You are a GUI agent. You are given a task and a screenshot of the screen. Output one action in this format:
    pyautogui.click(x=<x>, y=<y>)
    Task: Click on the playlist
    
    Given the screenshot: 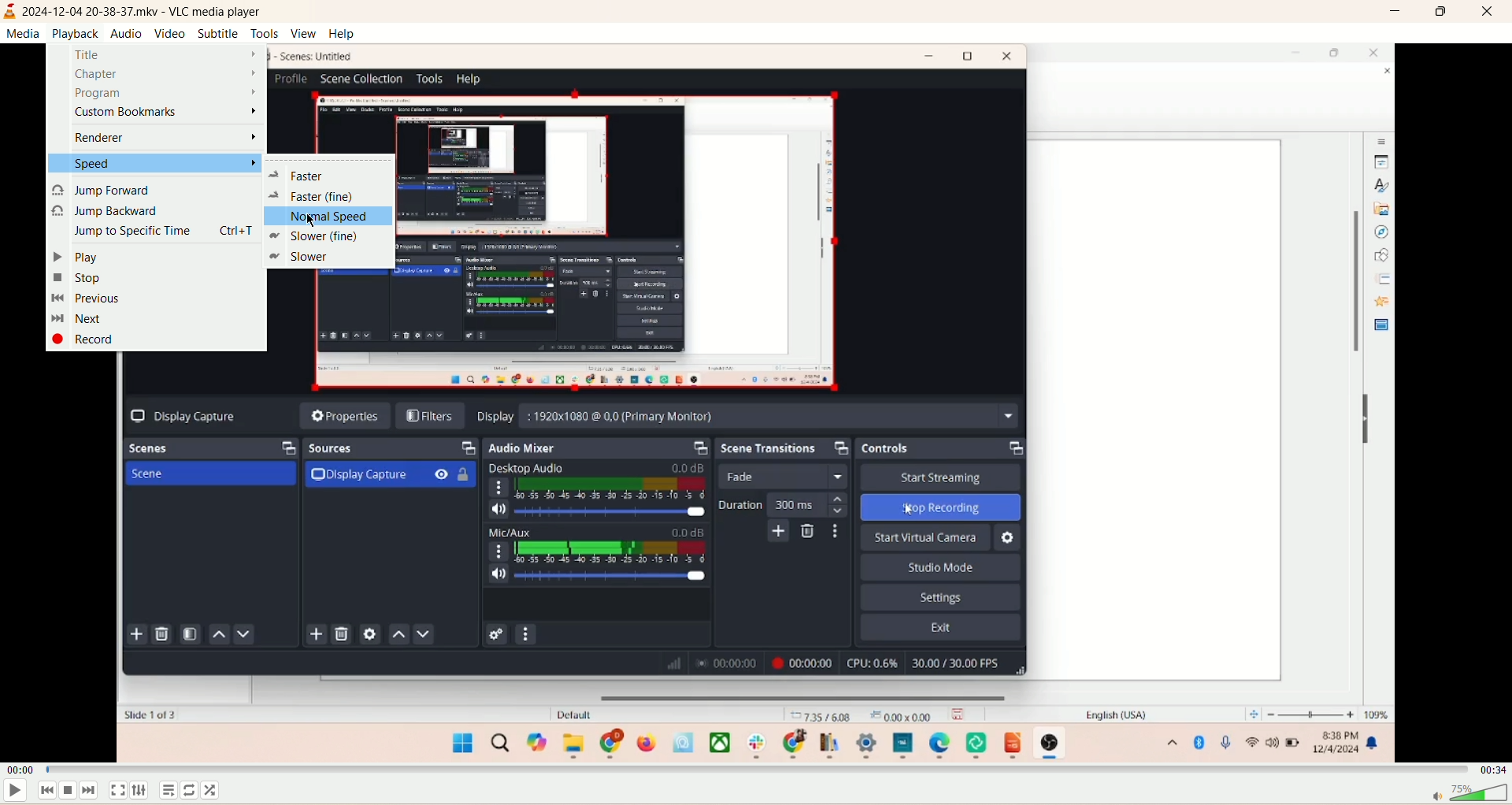 What is the action you would take?
    pyautogui.click(x=171, y=792)
    